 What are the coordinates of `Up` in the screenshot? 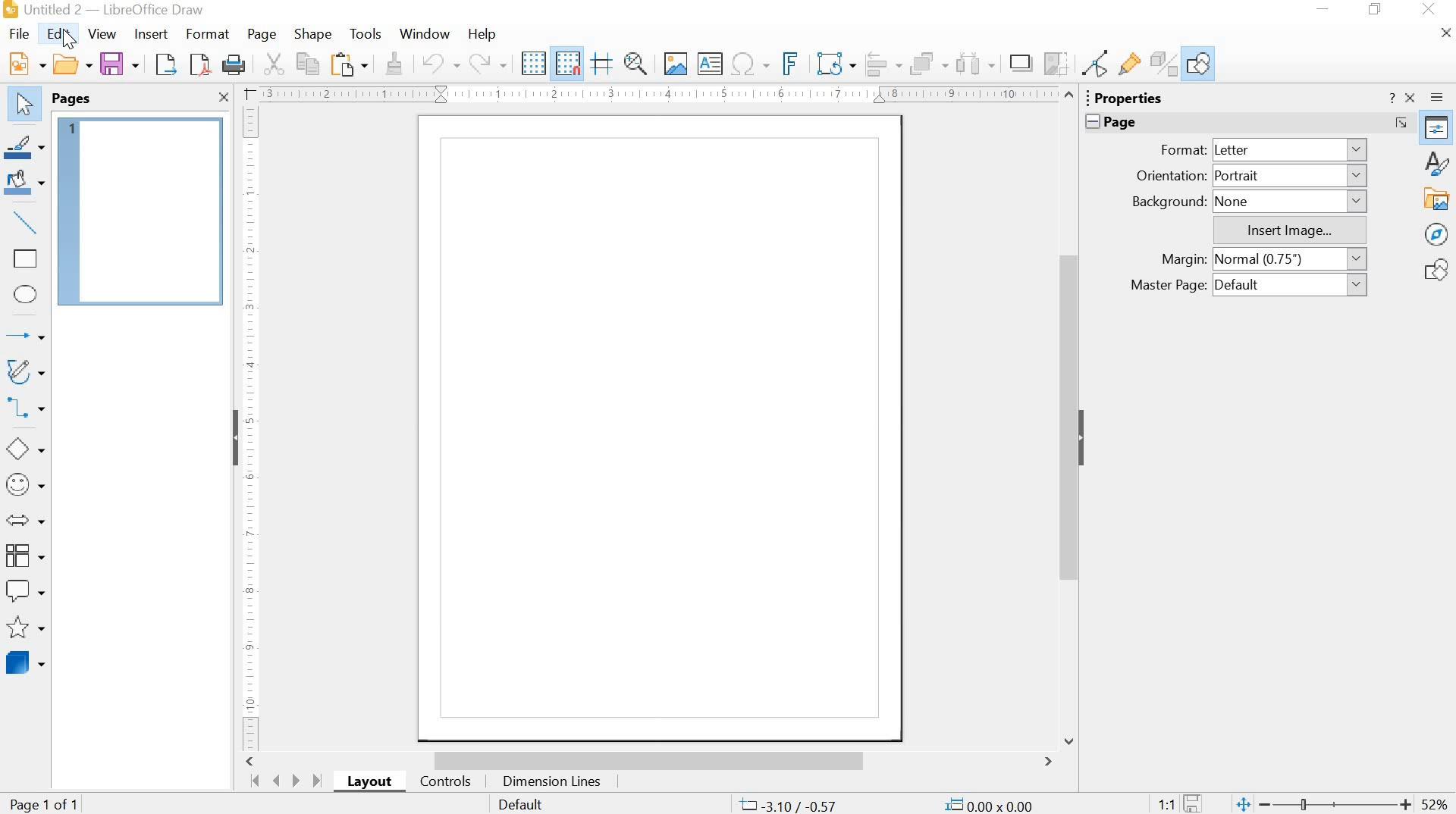 It's located at (1071, 94).